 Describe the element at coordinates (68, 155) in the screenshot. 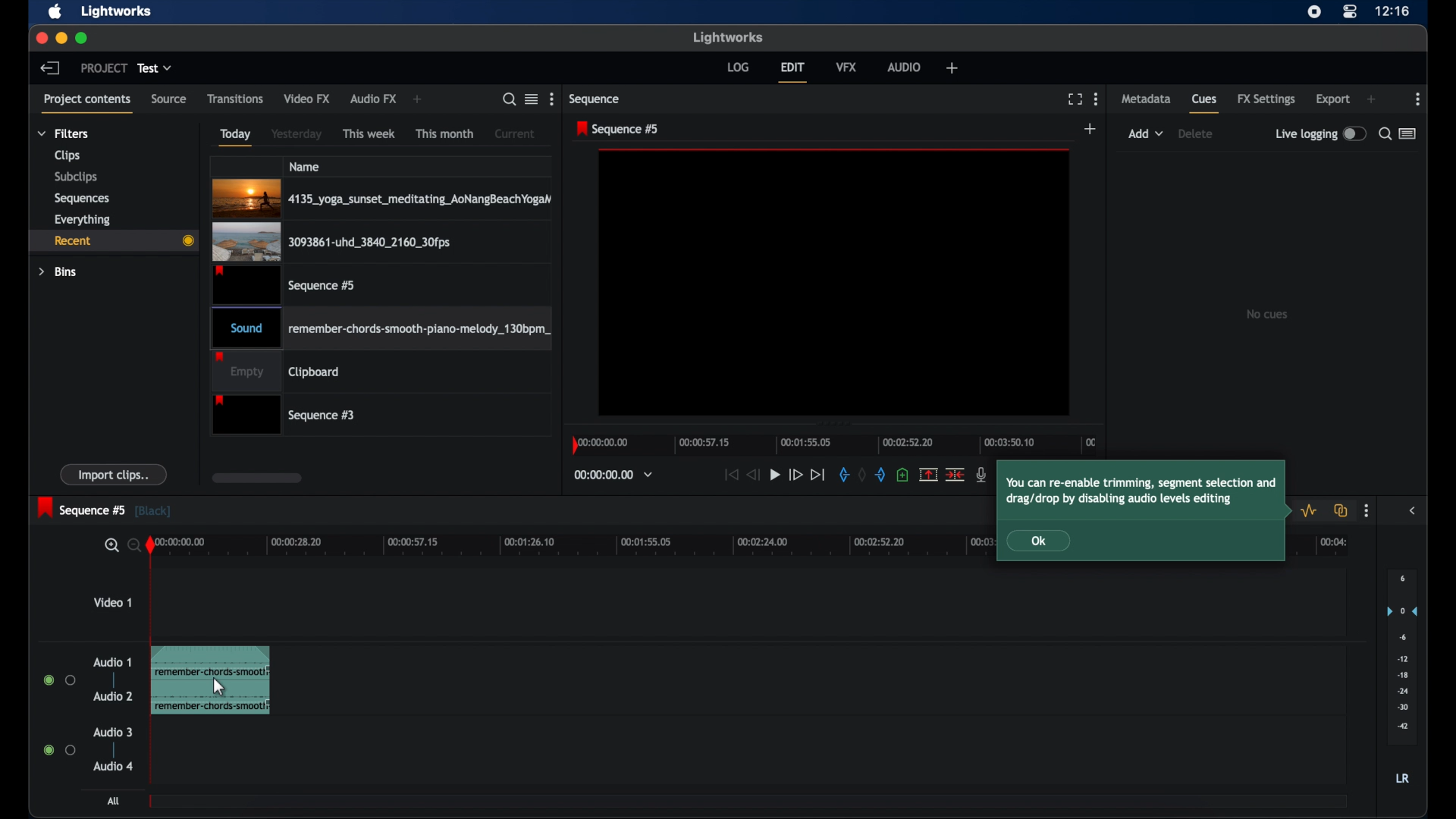

I see `clips` at that location.